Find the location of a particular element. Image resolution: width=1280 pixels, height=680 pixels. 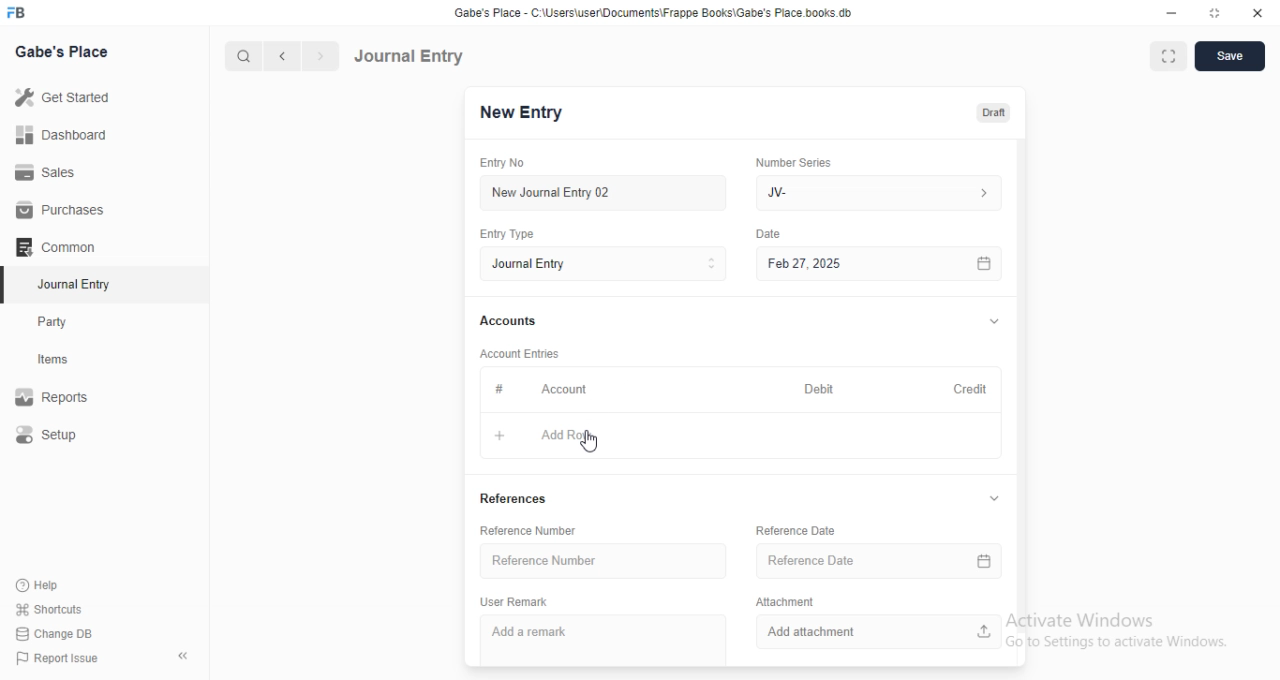

Date is located at coordinates (772, 232).